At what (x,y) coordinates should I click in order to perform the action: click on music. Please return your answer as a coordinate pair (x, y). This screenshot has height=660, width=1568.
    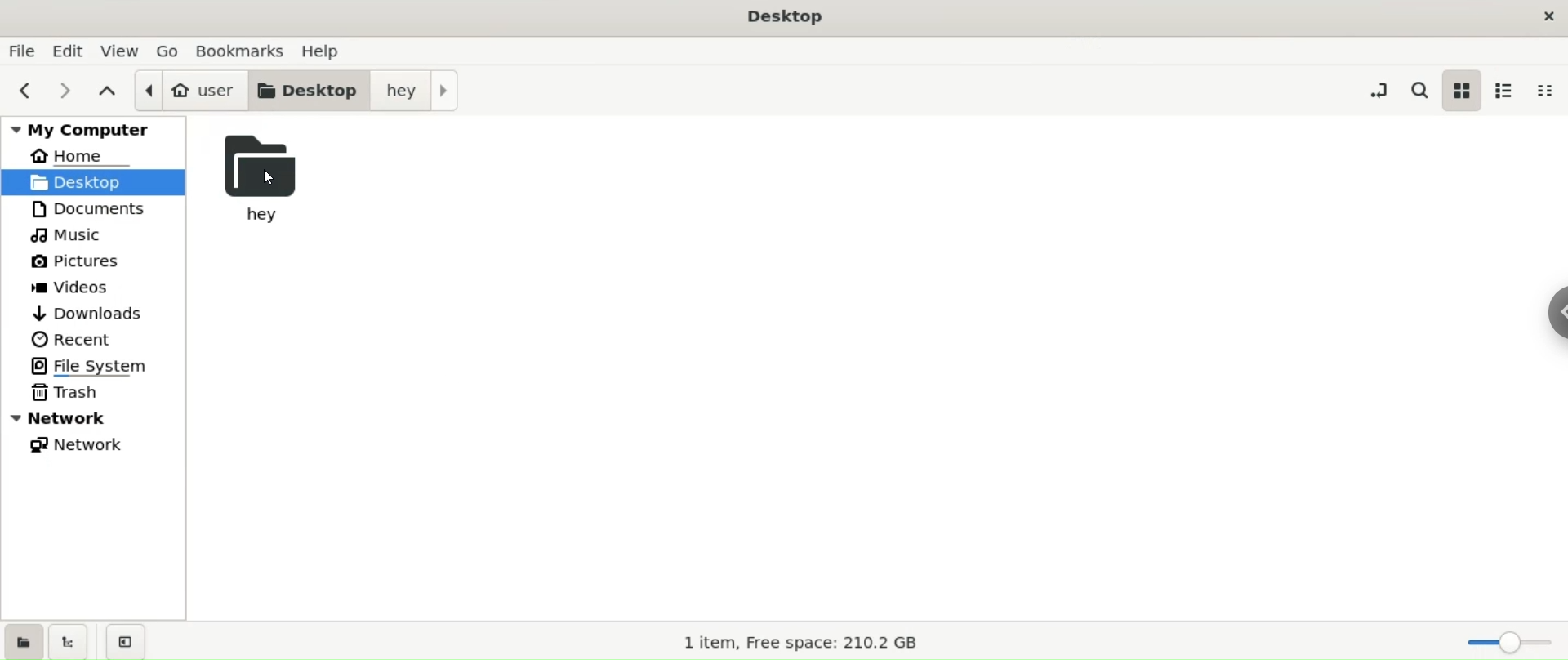
    Looking at the image, I should click on (100, 235).